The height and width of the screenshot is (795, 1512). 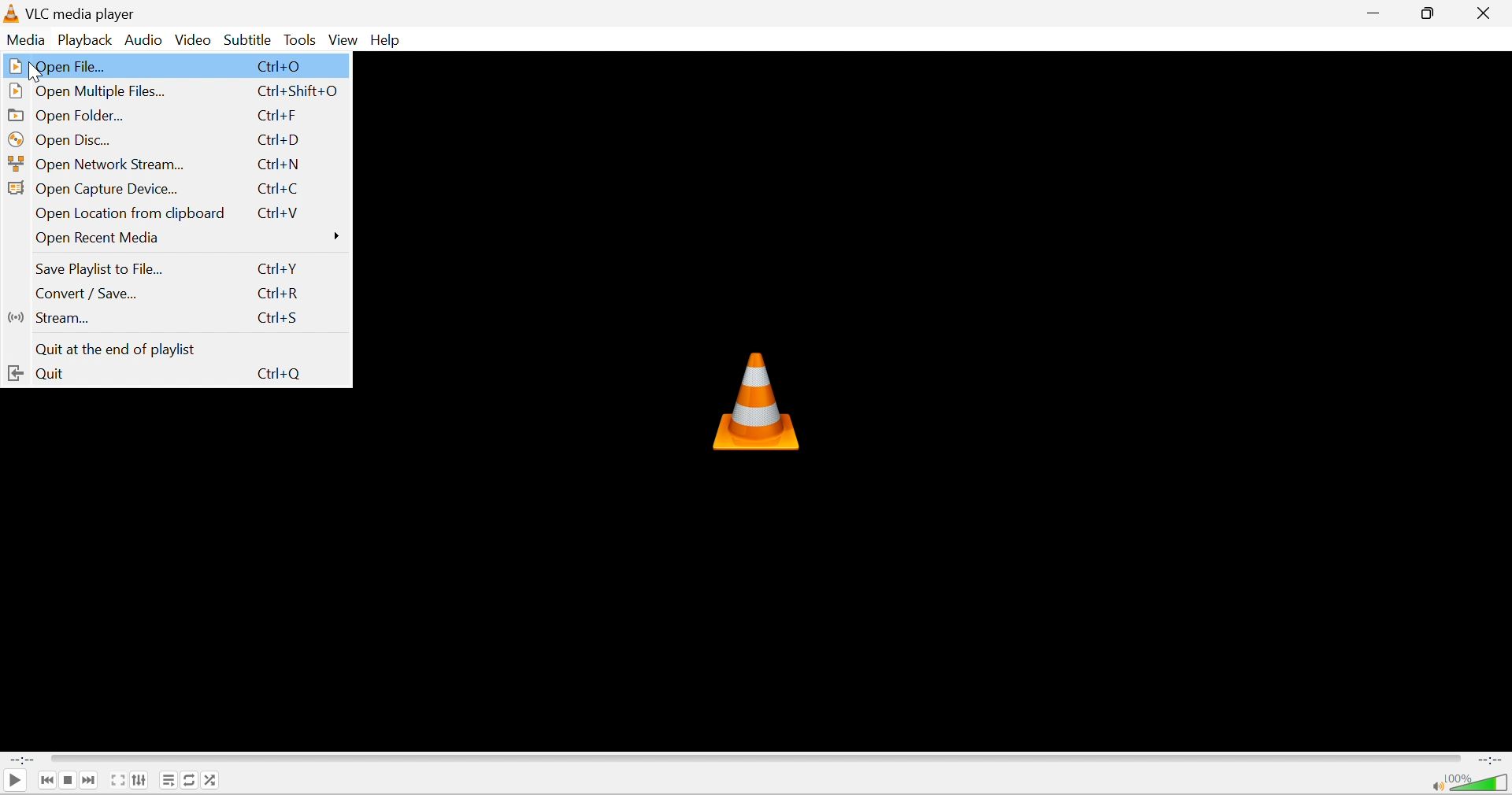 I want to click on Stop playback, so click(x=71, y=780).